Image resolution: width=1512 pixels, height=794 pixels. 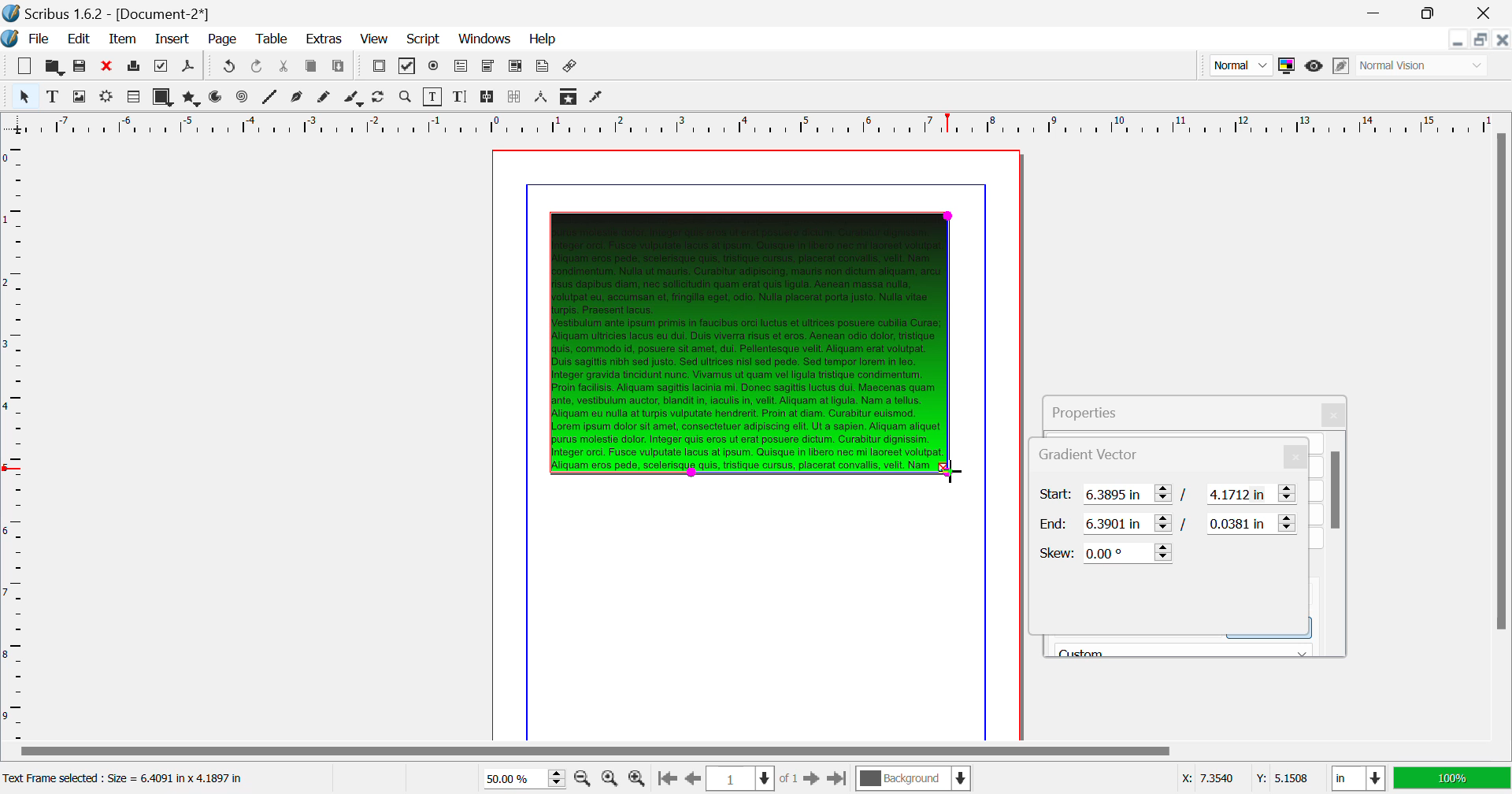 What do you see at coordinates (227, 68) in the screenshot?
I see `Redo` at bounding box center [227, 68].